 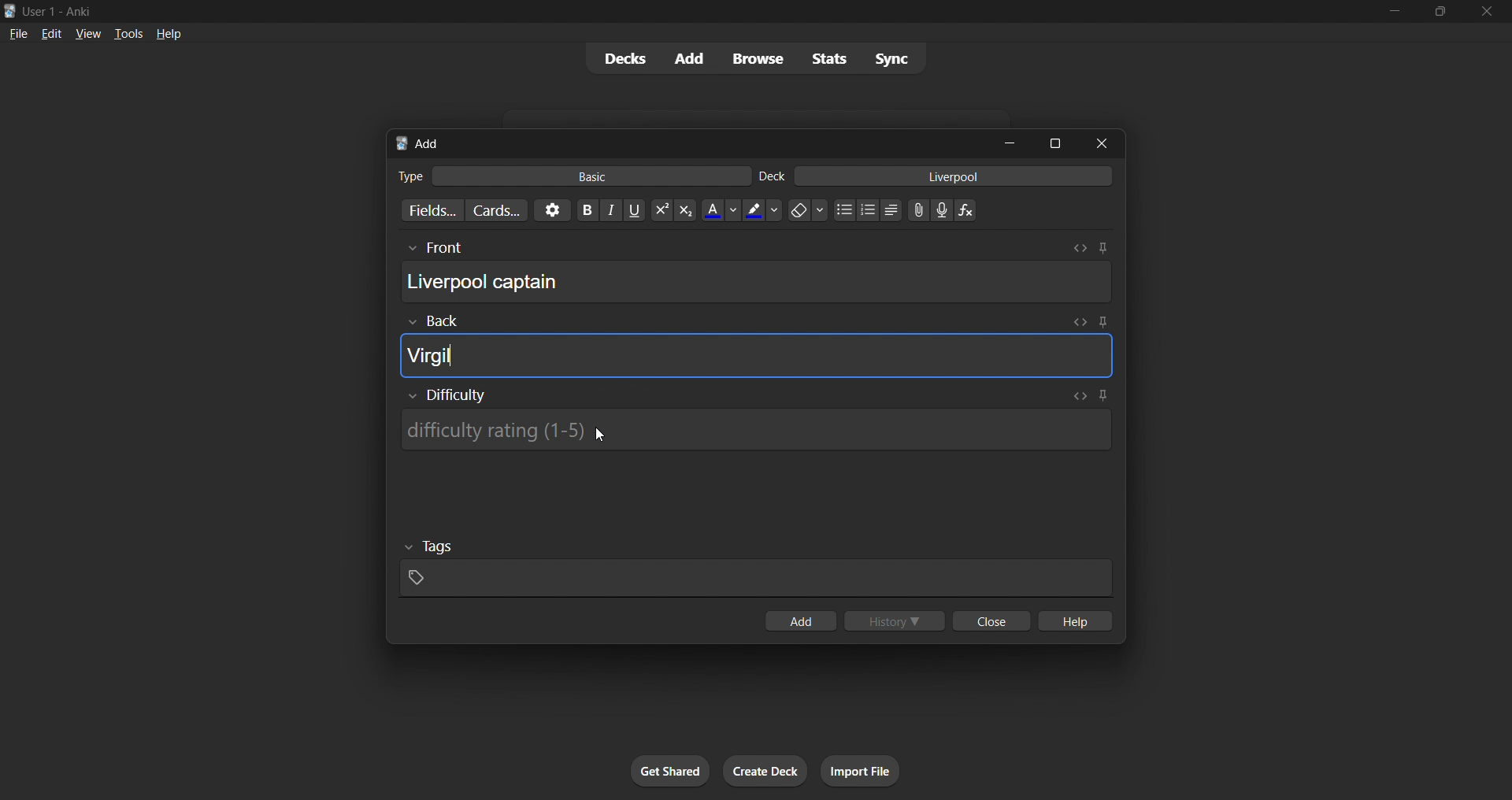 What do you see at coordinates (661, 210) in the screenshot?
I see `Superscript` at bounding box center [661, 210].